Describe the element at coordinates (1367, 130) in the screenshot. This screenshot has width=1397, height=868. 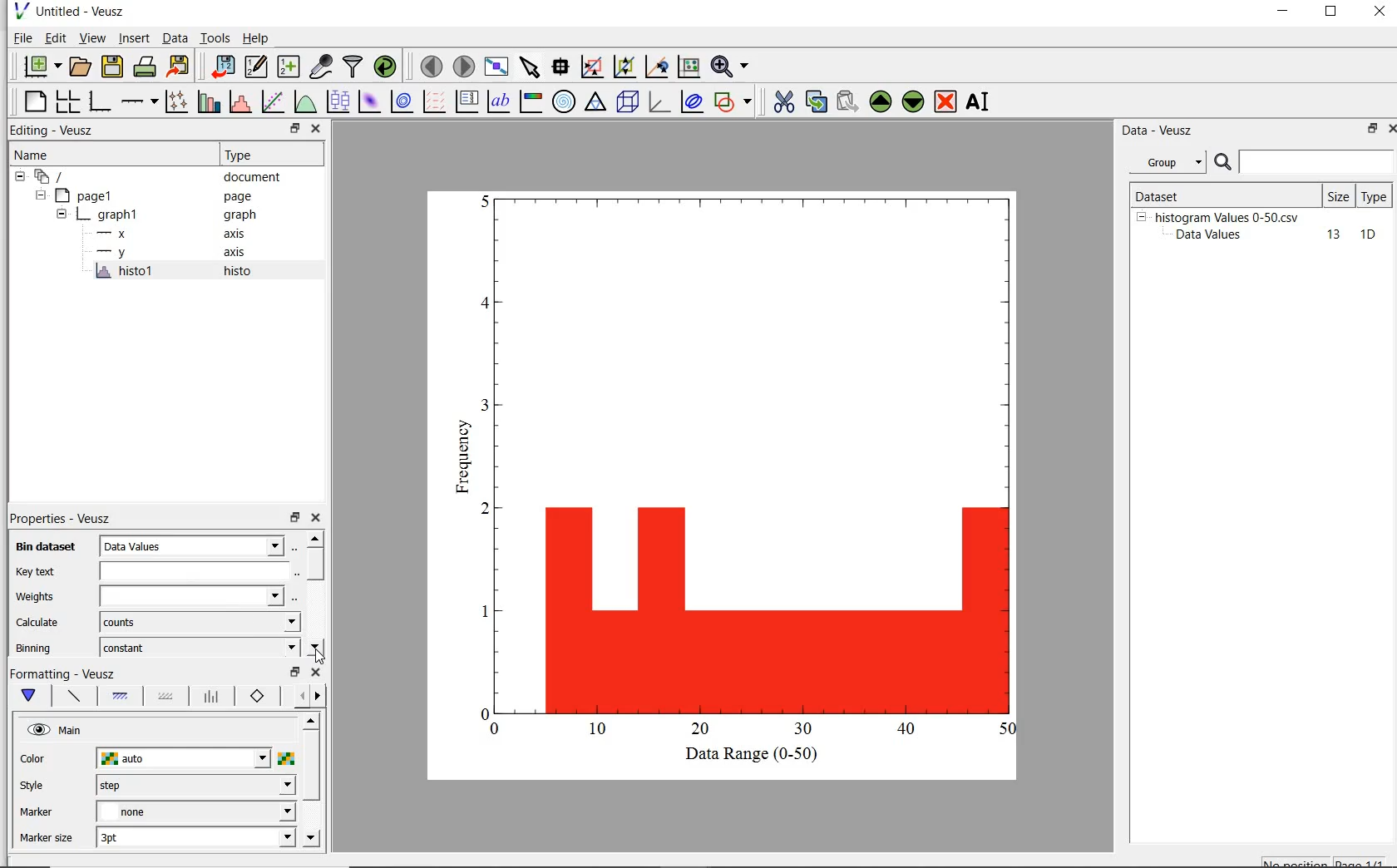
I see `restore down` at that location.